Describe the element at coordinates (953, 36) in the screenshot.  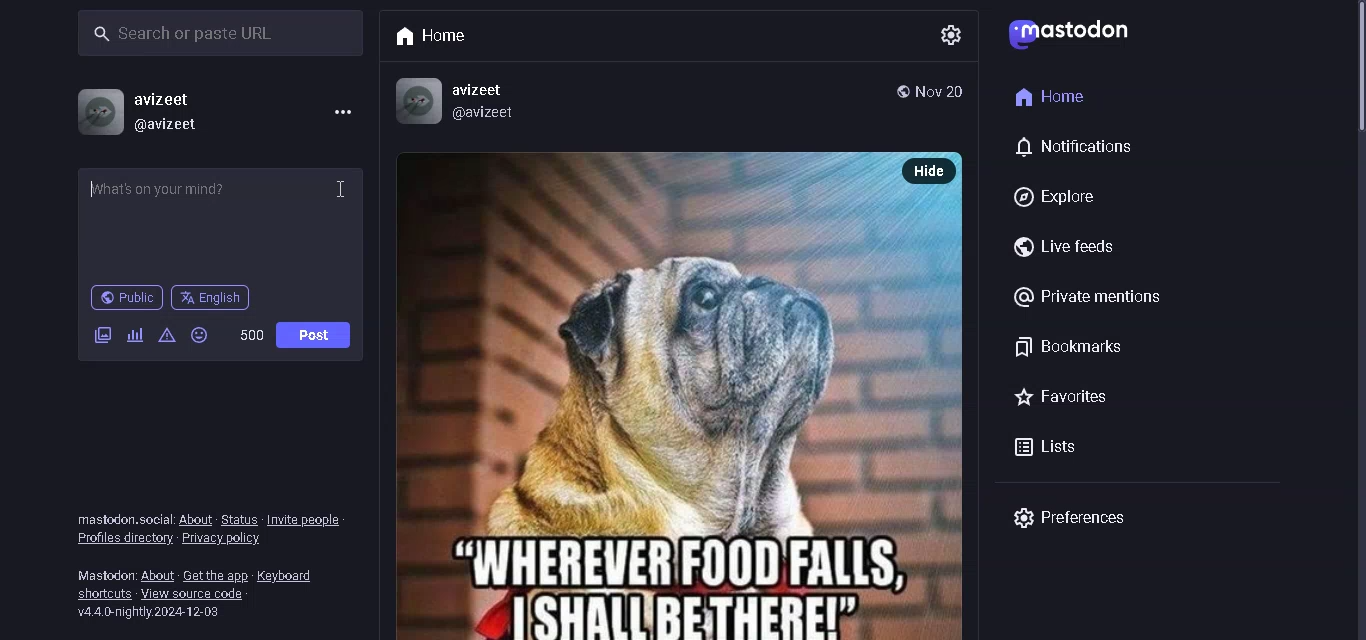
I see `settings` at that location.